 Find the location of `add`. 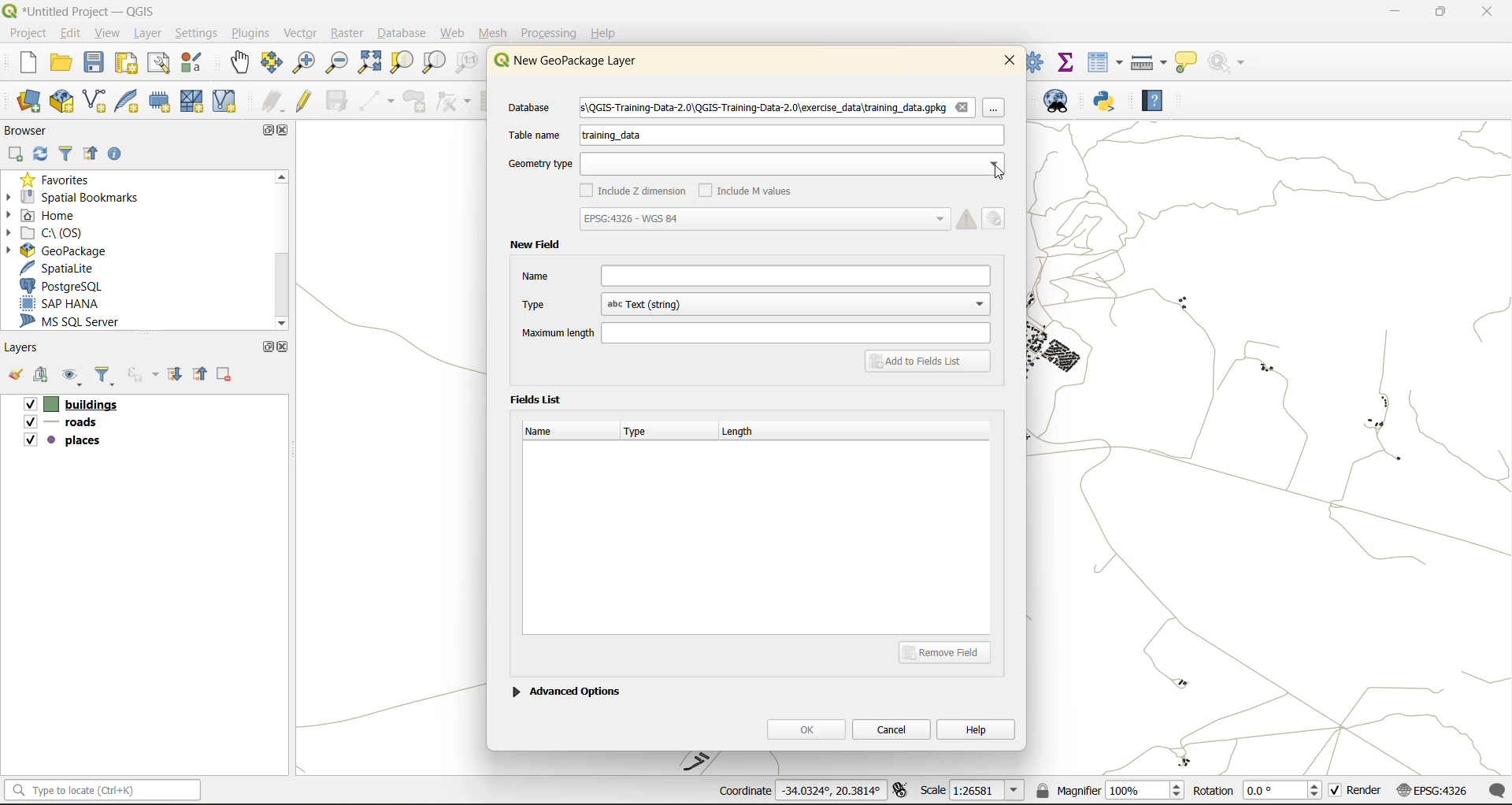

add is located at coordinates (17, 154).